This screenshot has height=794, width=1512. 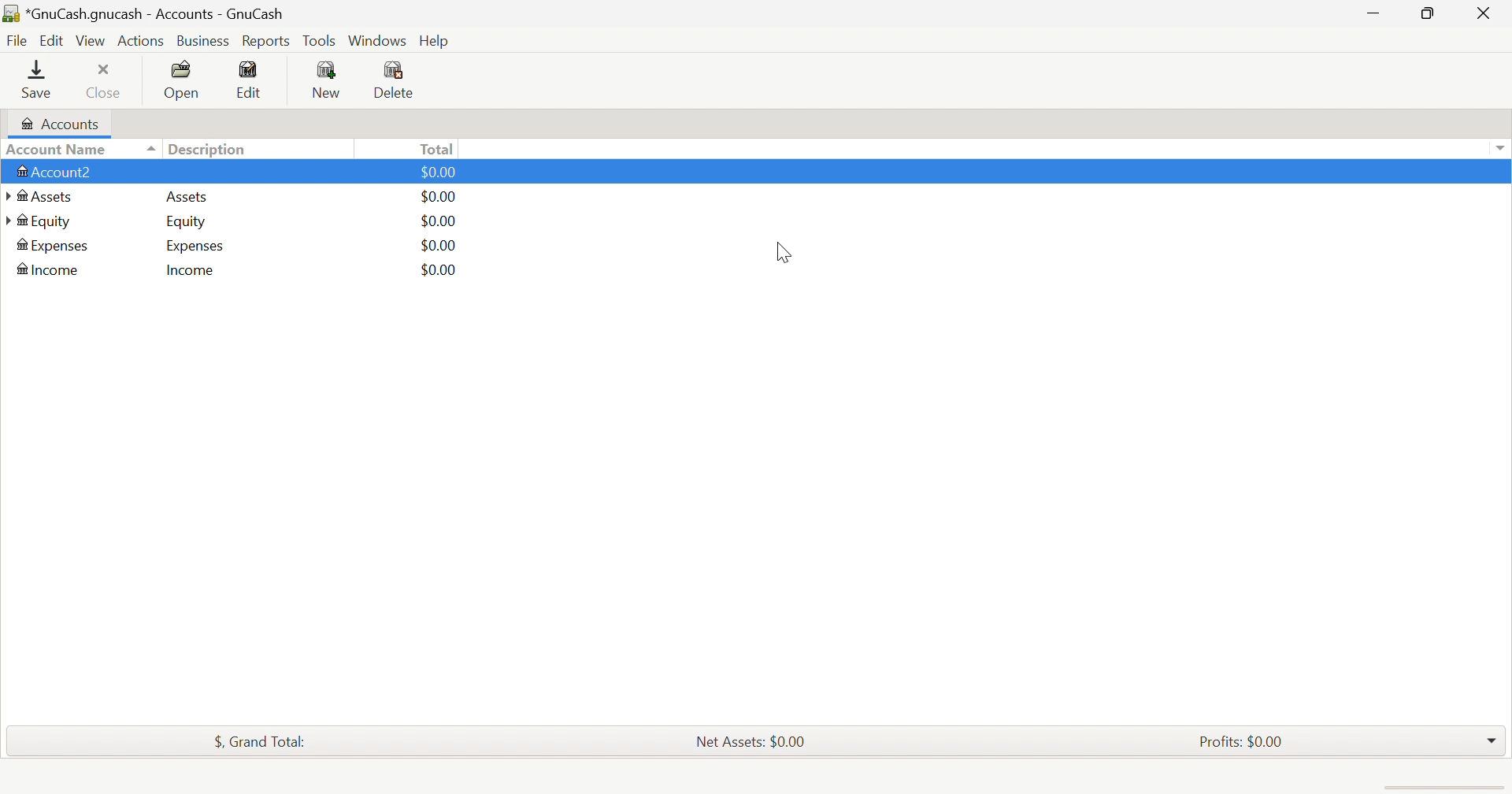 What do you see at coordinates (376, 39) in the screenshot?
I see `Windows` at bounding box center [376, 39].